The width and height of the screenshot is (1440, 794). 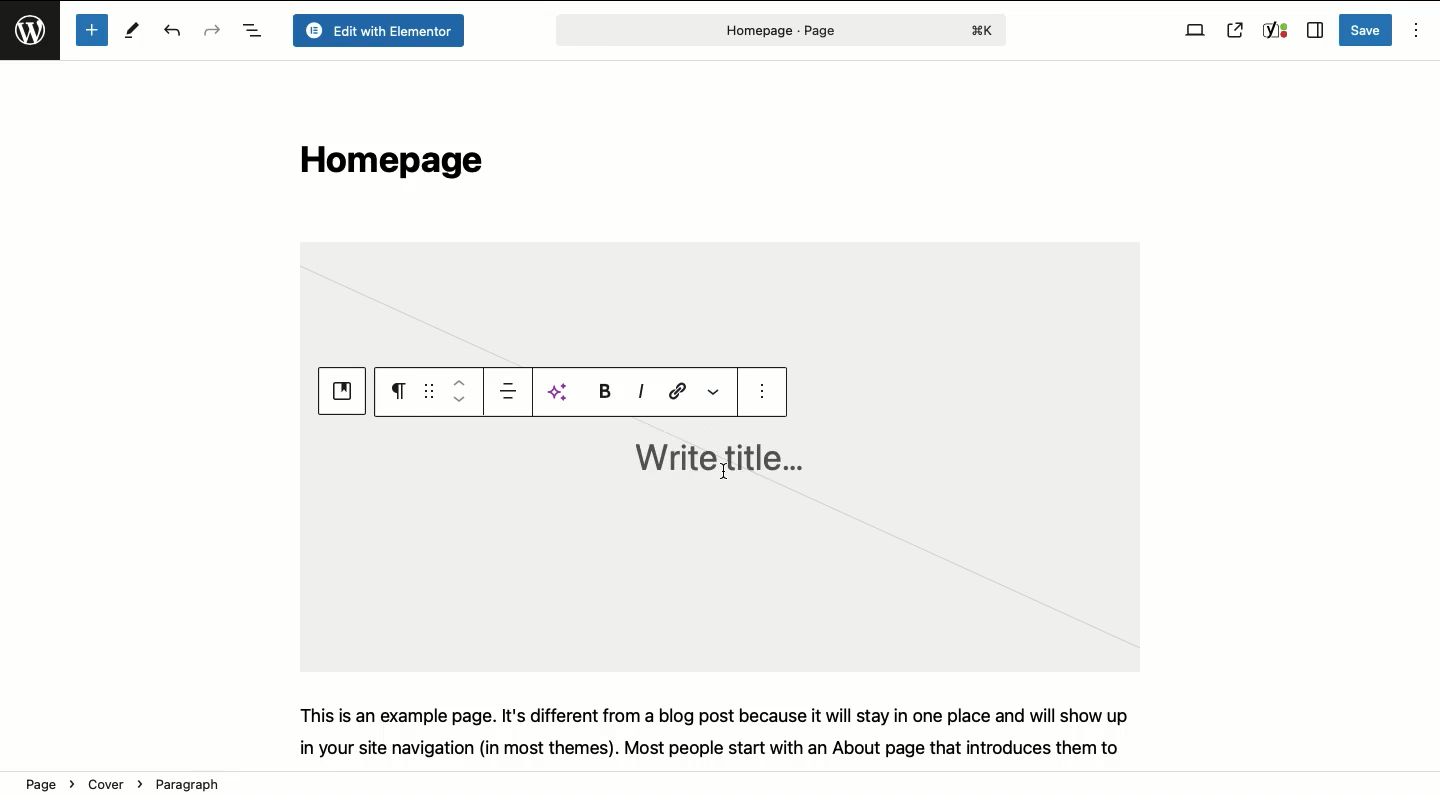 I want to click on options, so click(x=769, y=399).